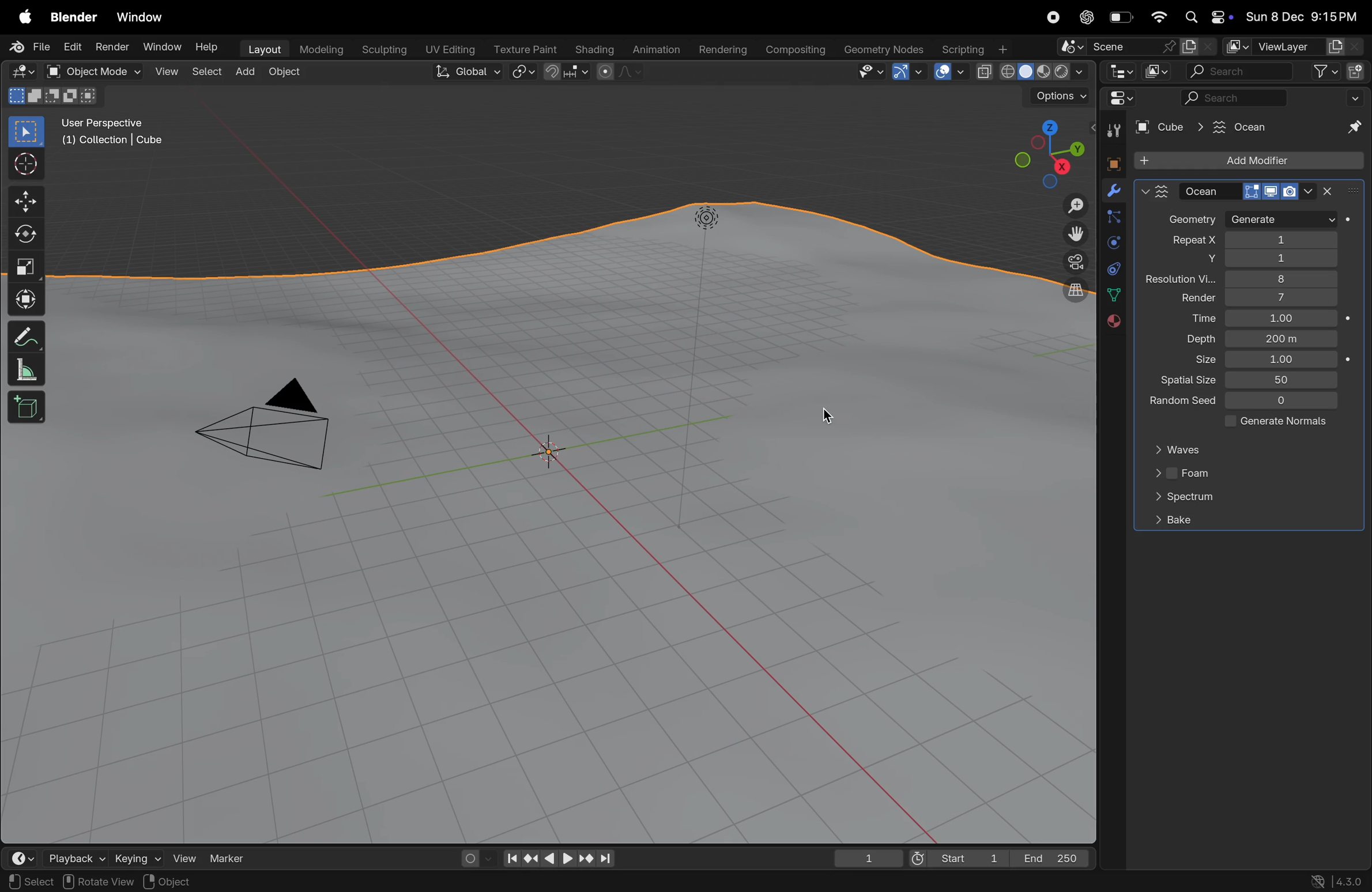 Image resolution: width=1372 pixels, height=892 pixels. Describe the element at coordinates (24, 858) in the screenshot. I see `editor type` at that location.